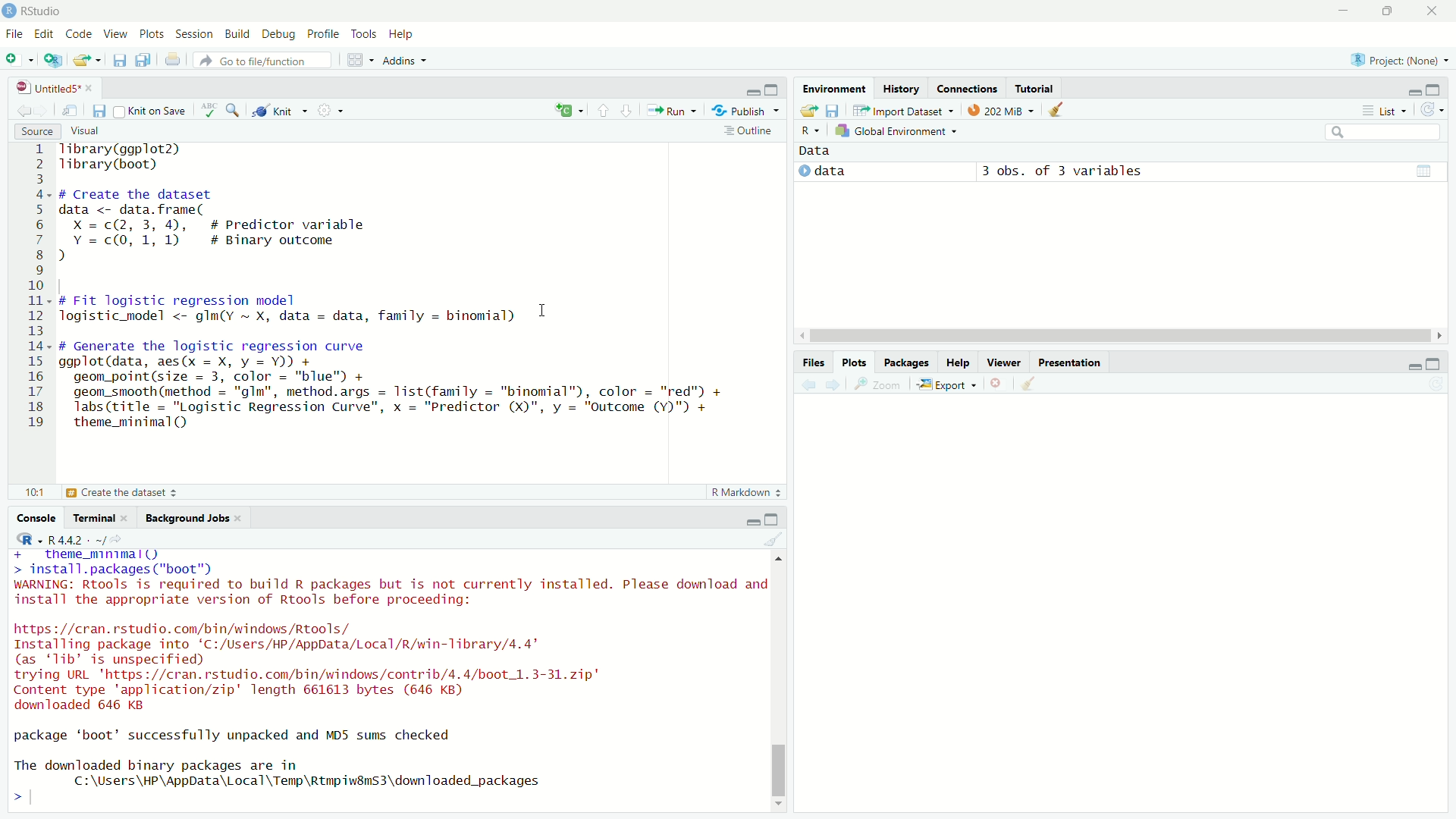  Describe the element at coordinates (627, 111) in the screenshot. I see `Go to next section/chunk` at that location.